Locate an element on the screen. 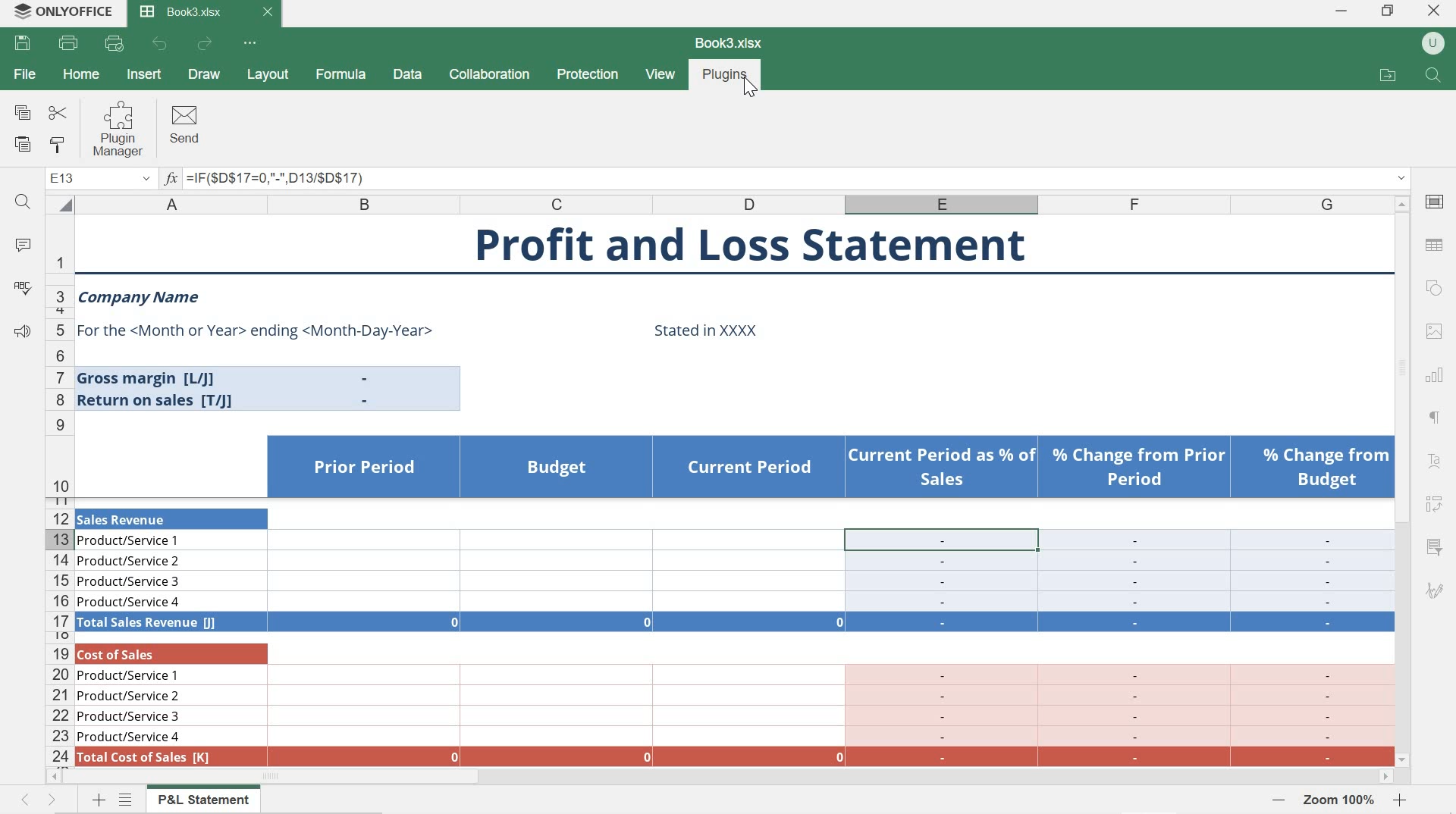 This screenshot has width=1456, height=814. cursor is located at coordinates (751, 91).